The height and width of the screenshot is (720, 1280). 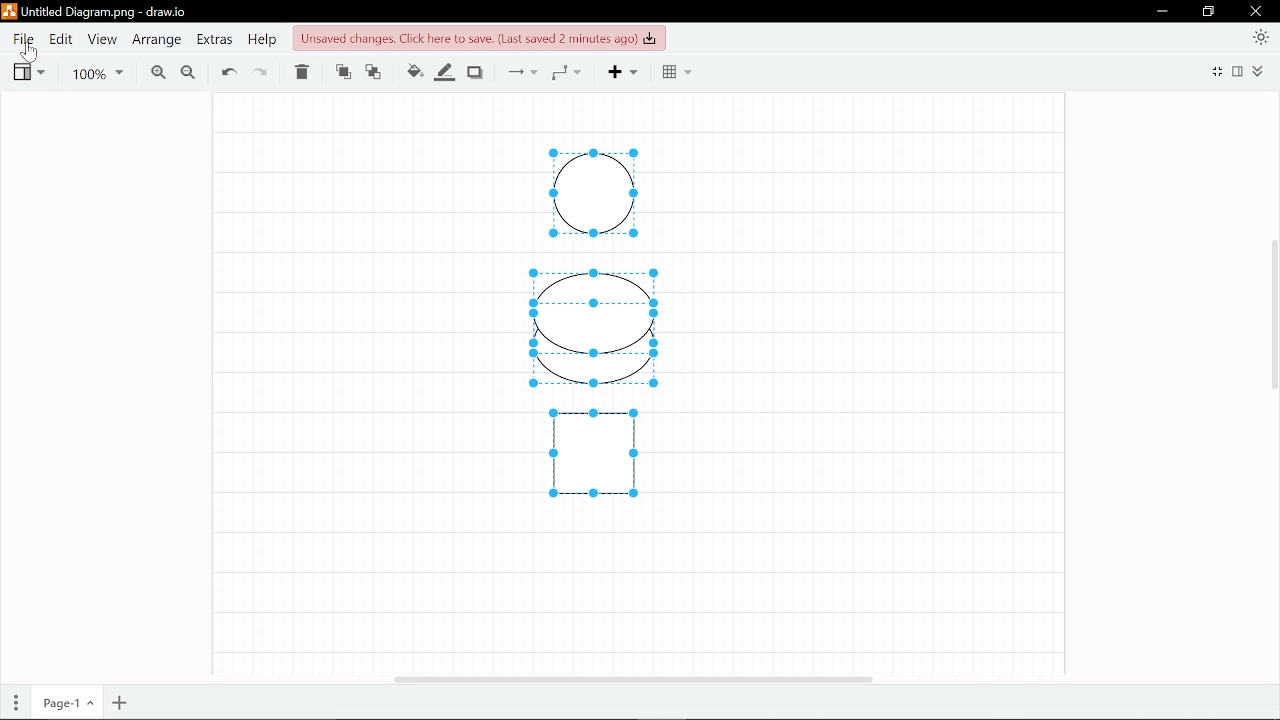 I want to click on Restore down, so click(x=1207, y=12).